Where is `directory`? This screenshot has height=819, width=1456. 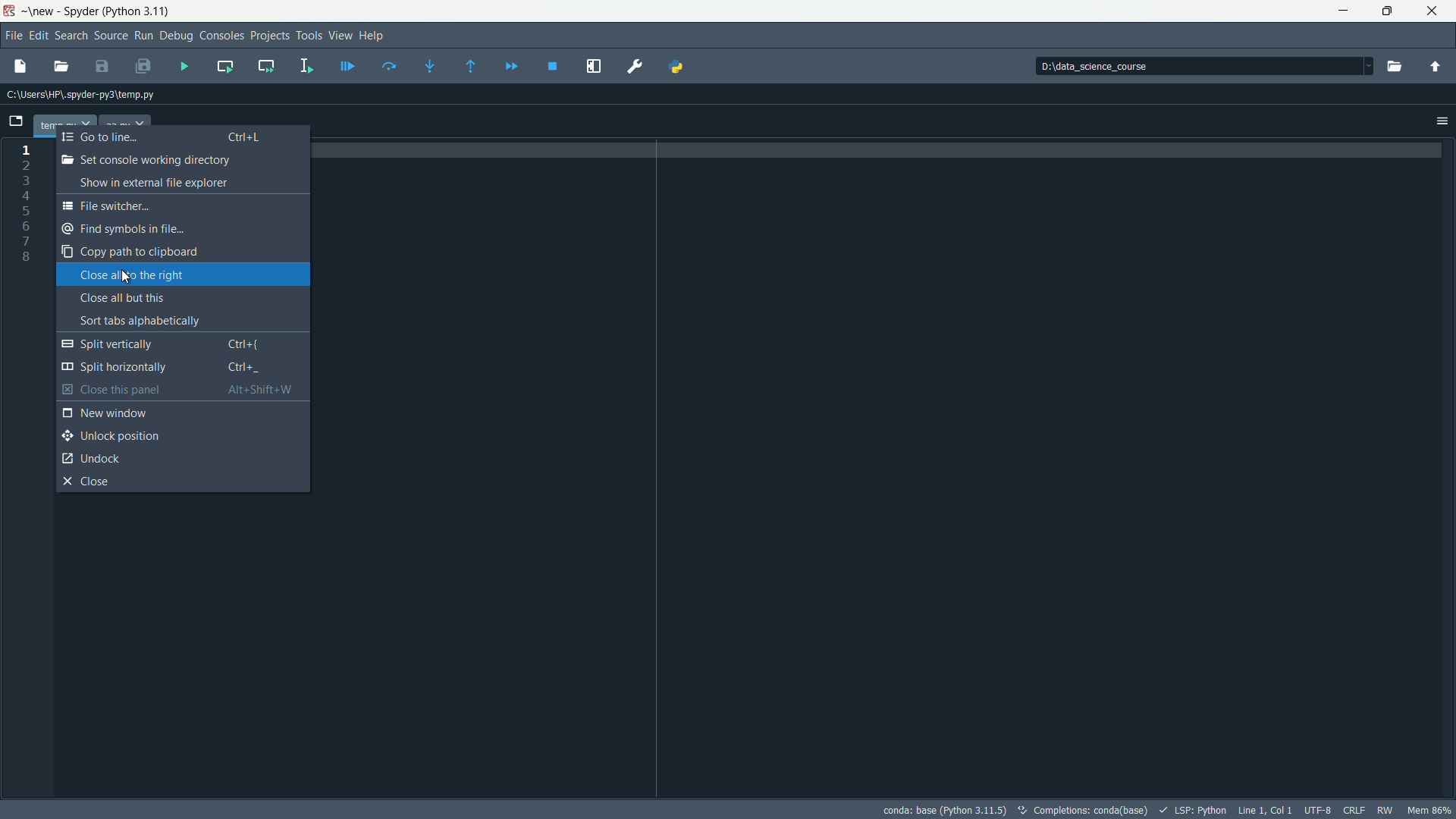 directory is located at coordinates (91, 95).